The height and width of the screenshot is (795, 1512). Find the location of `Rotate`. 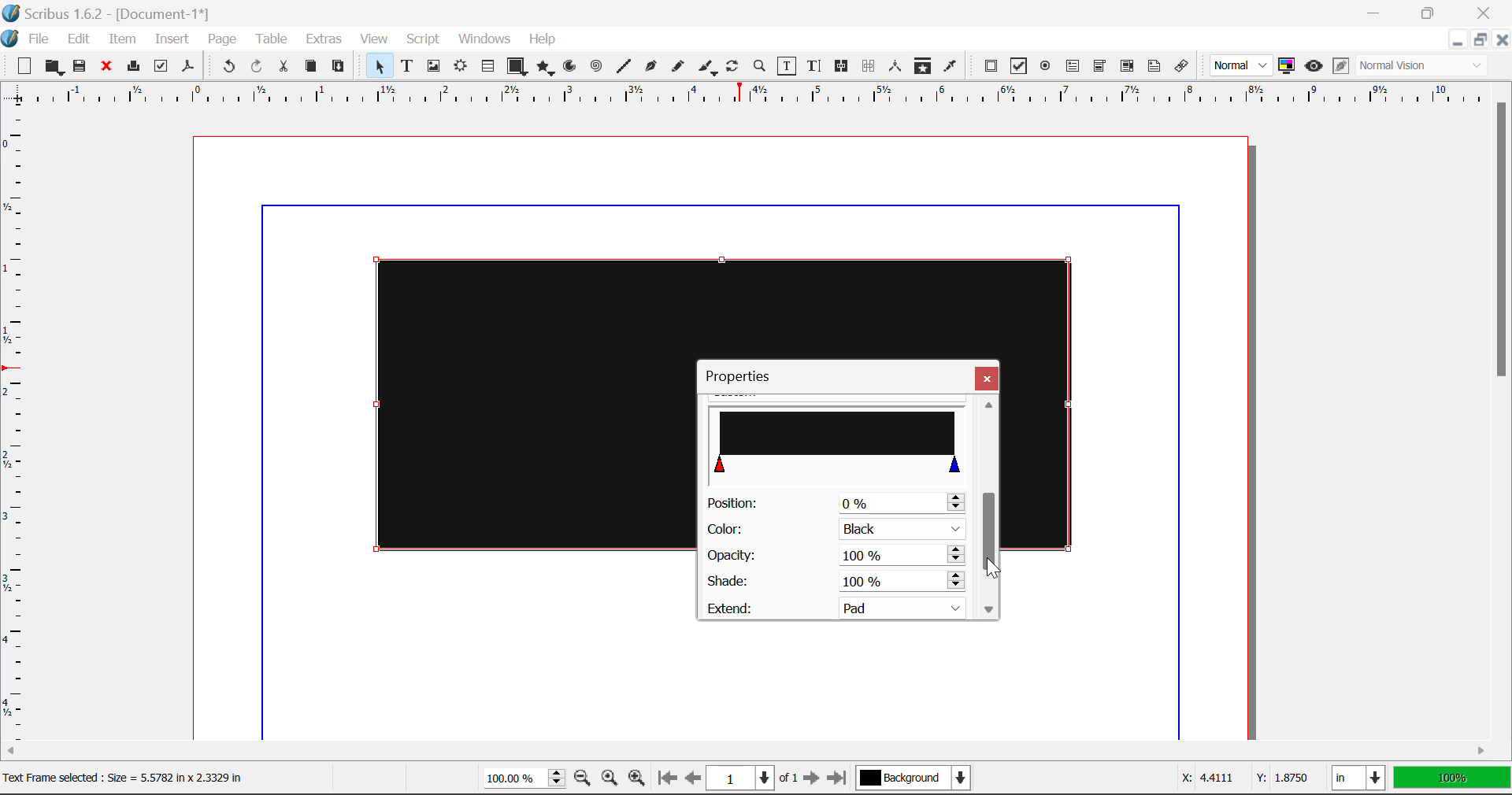

Rotate is located at coordinates (733, 66).